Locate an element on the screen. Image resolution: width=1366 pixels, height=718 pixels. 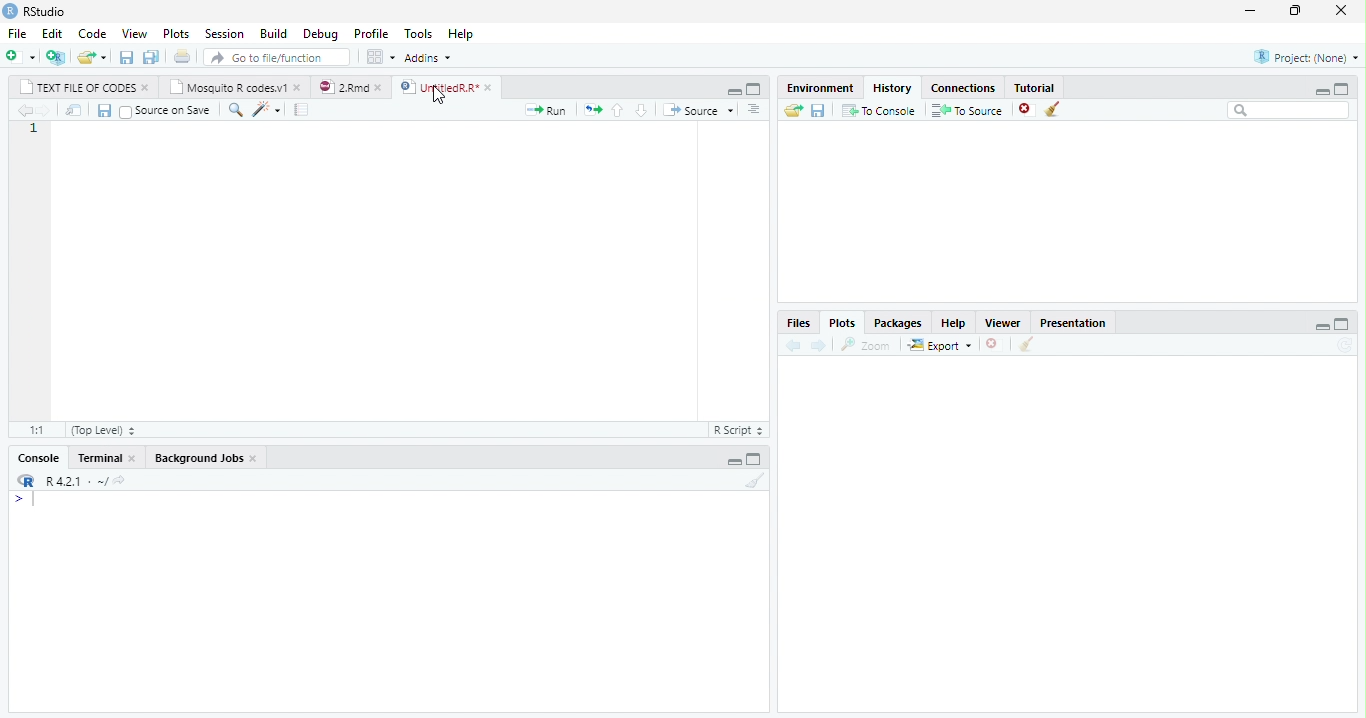
debug is located at coordinates (320, 33).